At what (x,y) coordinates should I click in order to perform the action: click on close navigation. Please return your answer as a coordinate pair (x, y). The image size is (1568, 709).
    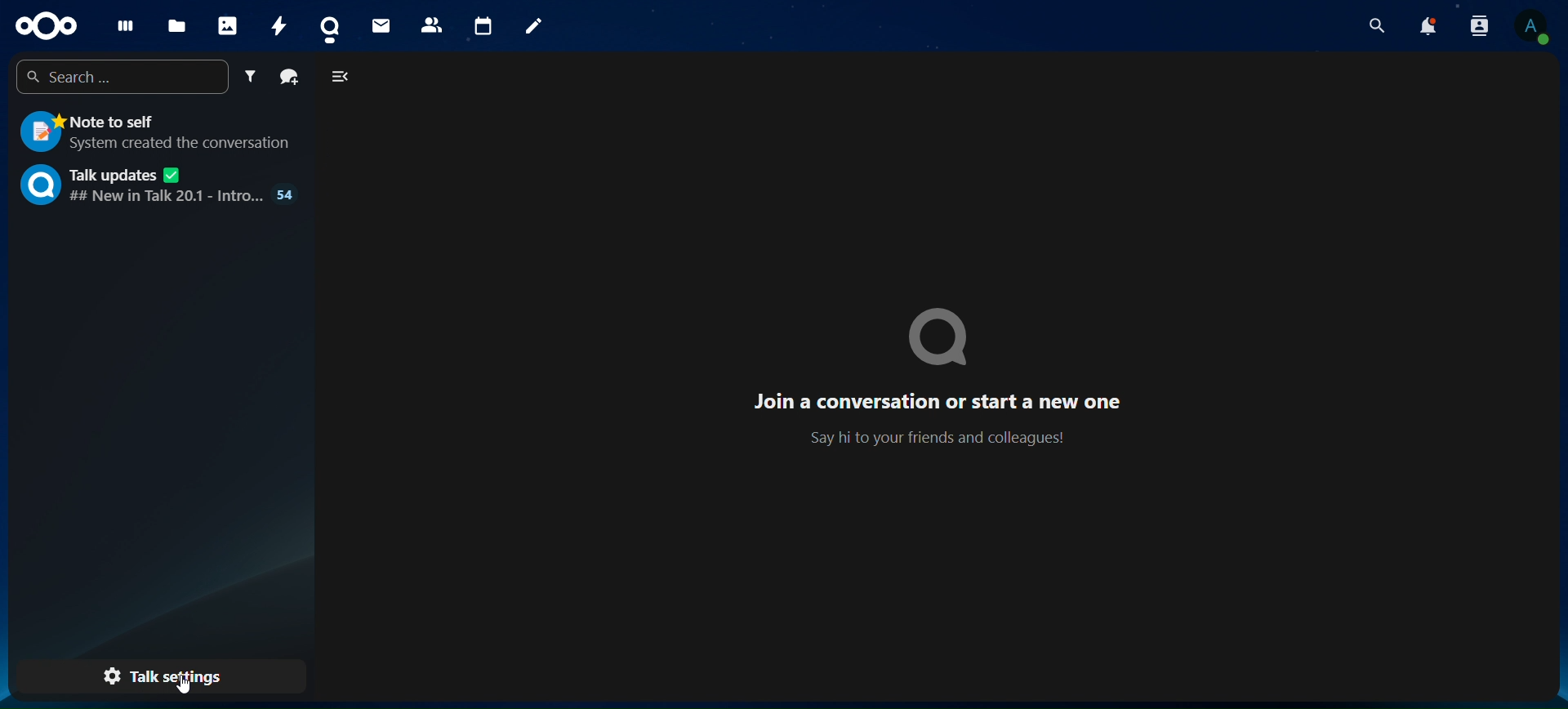
    Looking at the image, I should click on (340, 78).